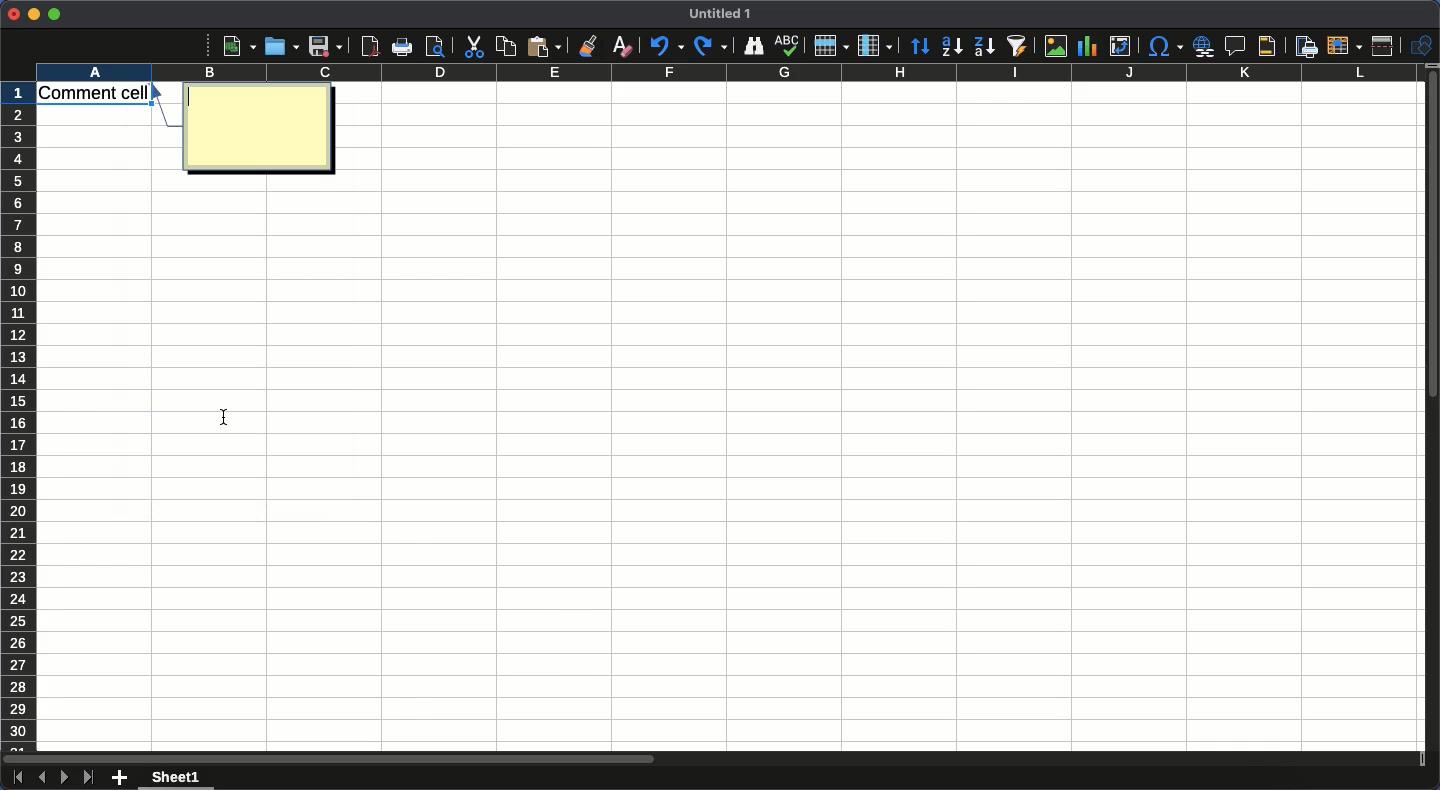 This screenshot has width=1440, height=790. Describe the element at coordinates (324, 46) in the screenshot. I see `Save` at that location.